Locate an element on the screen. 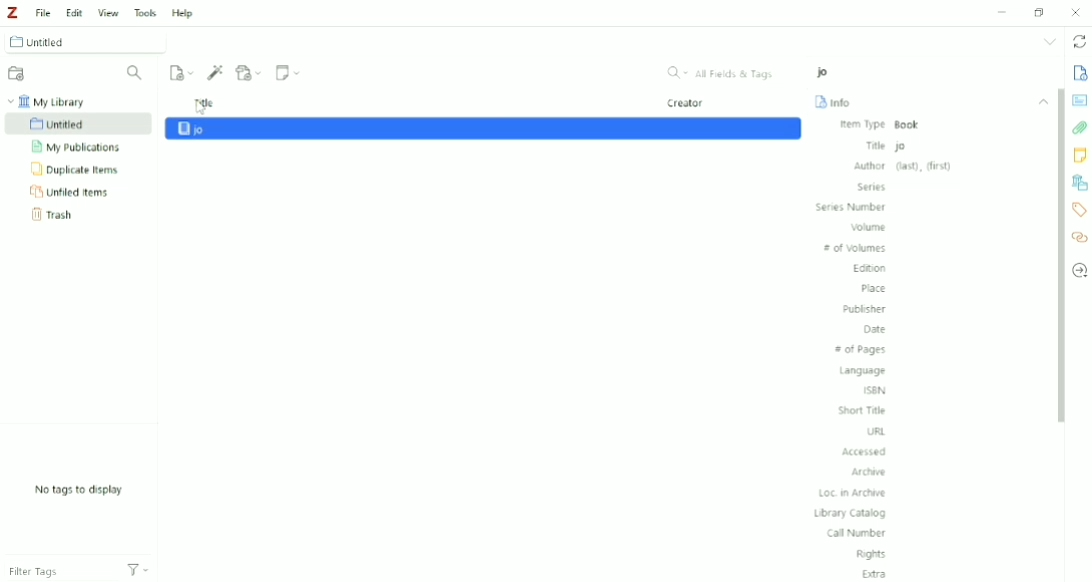 This screenshot has height=582, width=1092. Volume is located at coordinates (868, 227).